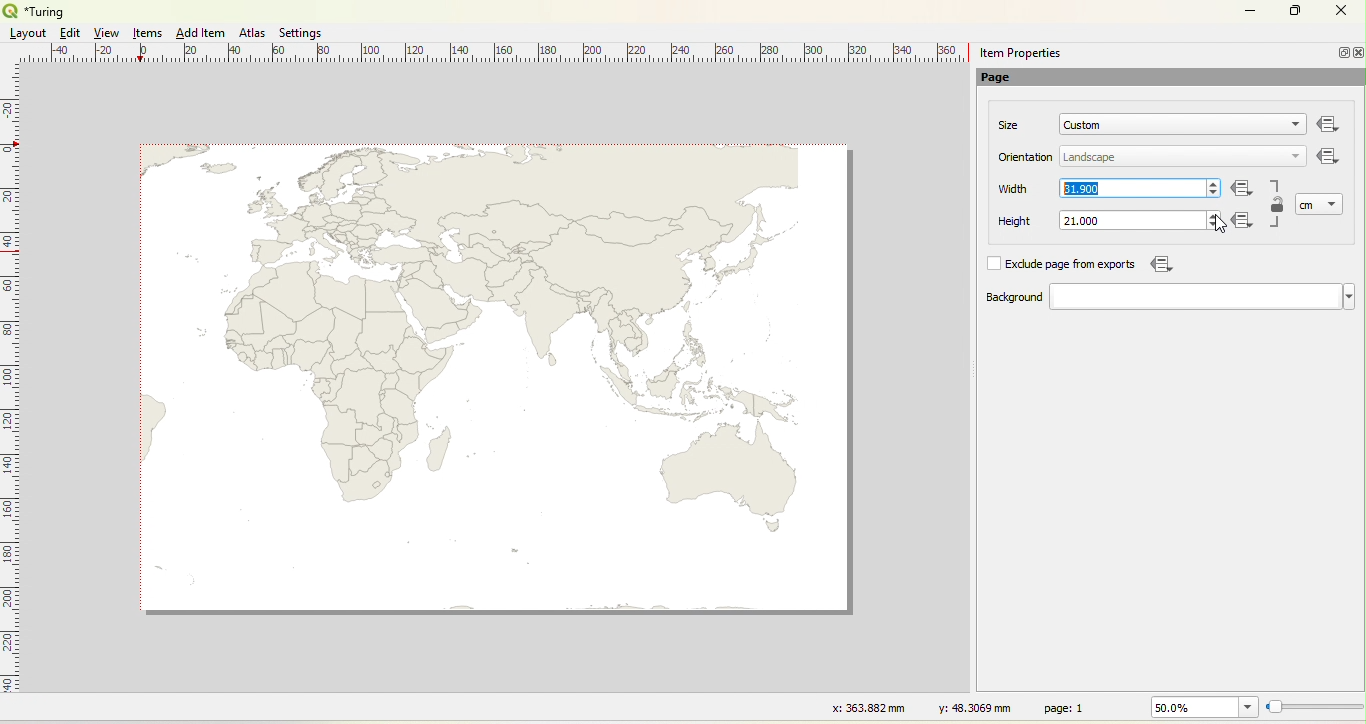 This screenshot has width=1366, height=724. What do you see at coordinates (1211, 226) in the screenshot?
I see `decrease` at bounding box center [1211, 226].